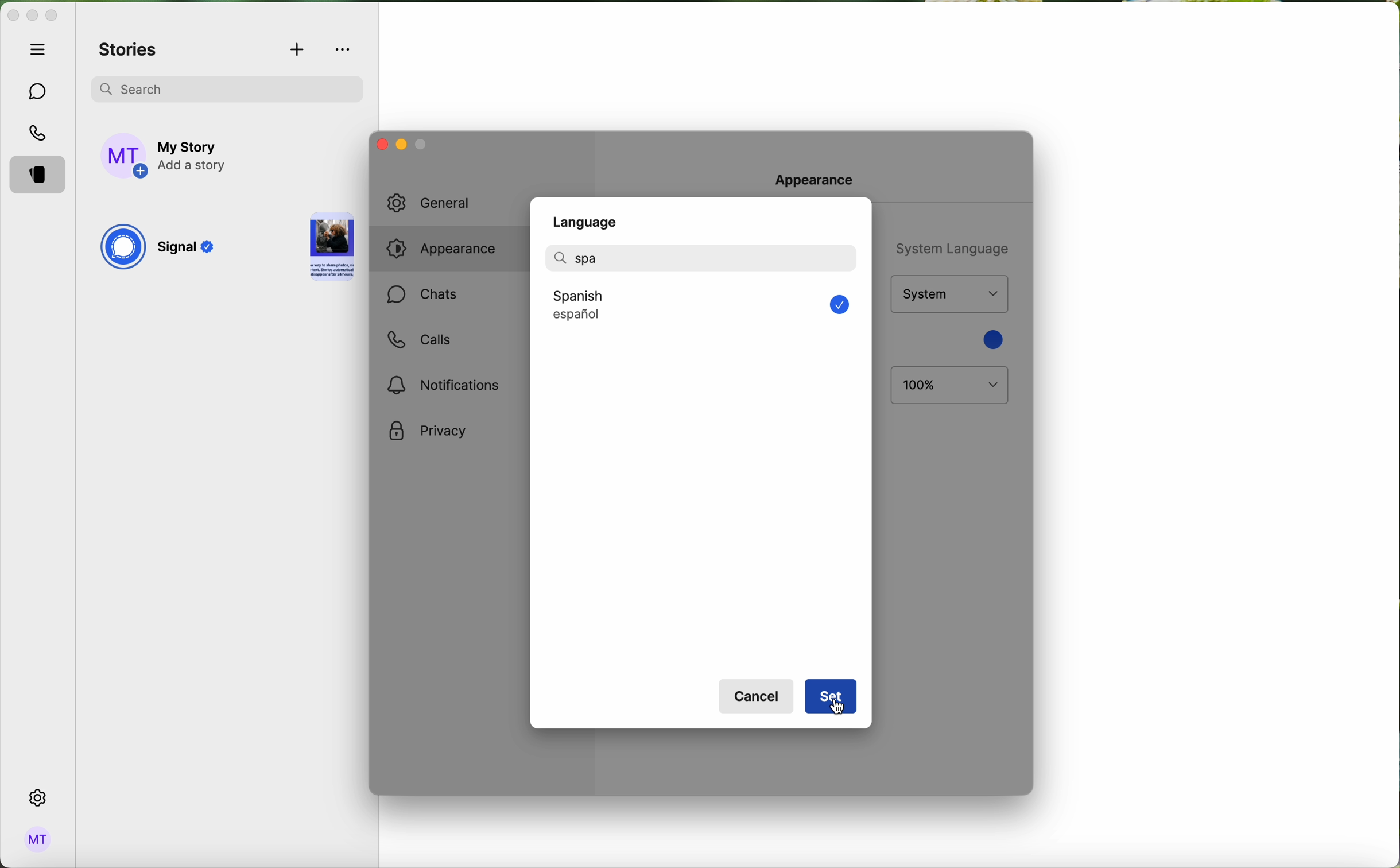 The width and height of the screenshot is (1400, 868). What do you see at coordinates (379, 144) in the screenshot?
I see `close window` at bounding box center [379, 144].